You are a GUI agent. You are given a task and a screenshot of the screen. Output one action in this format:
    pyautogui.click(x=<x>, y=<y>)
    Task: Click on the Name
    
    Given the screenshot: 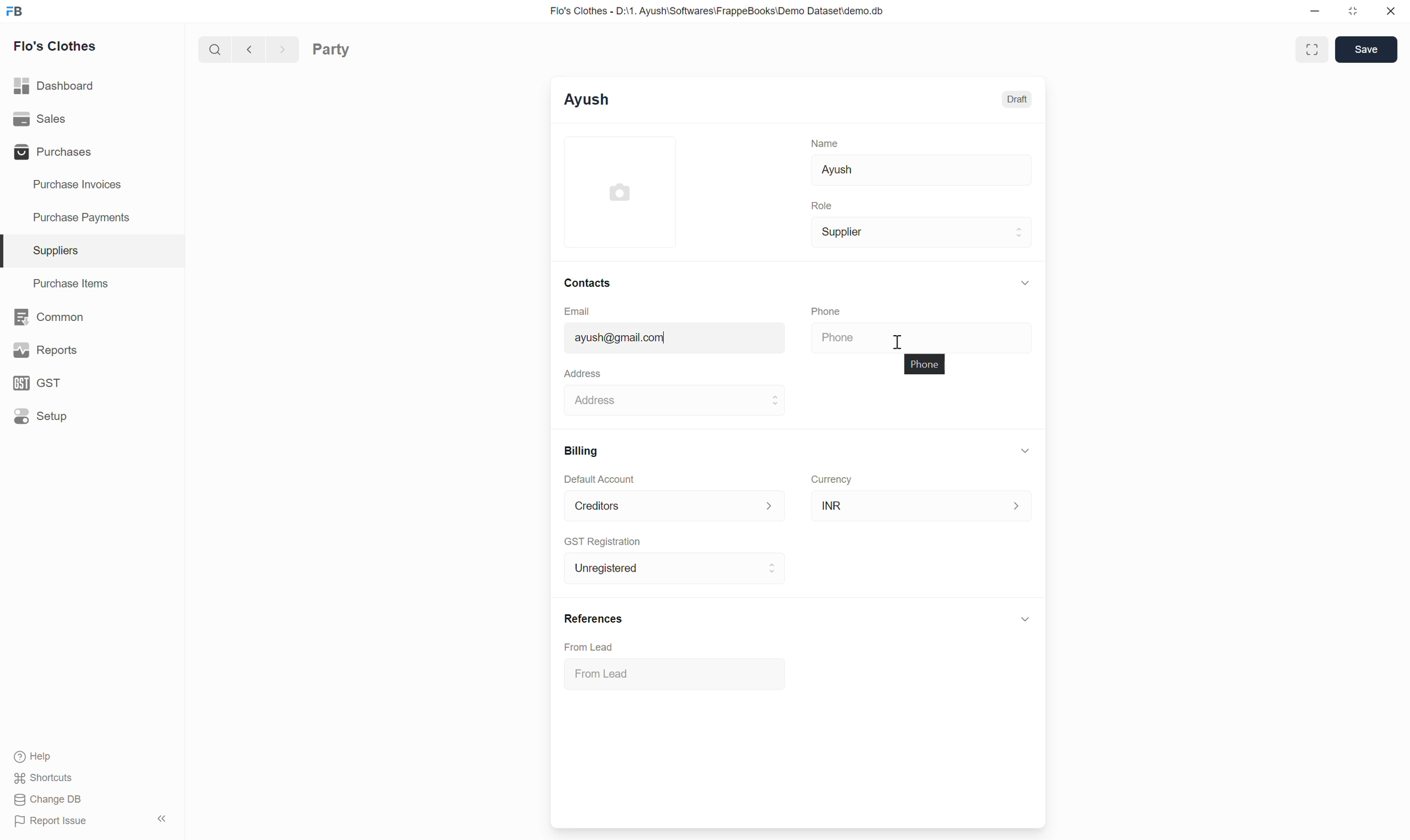 What is the action you would take?
    pyautogui.click(x=824, y=143)
    